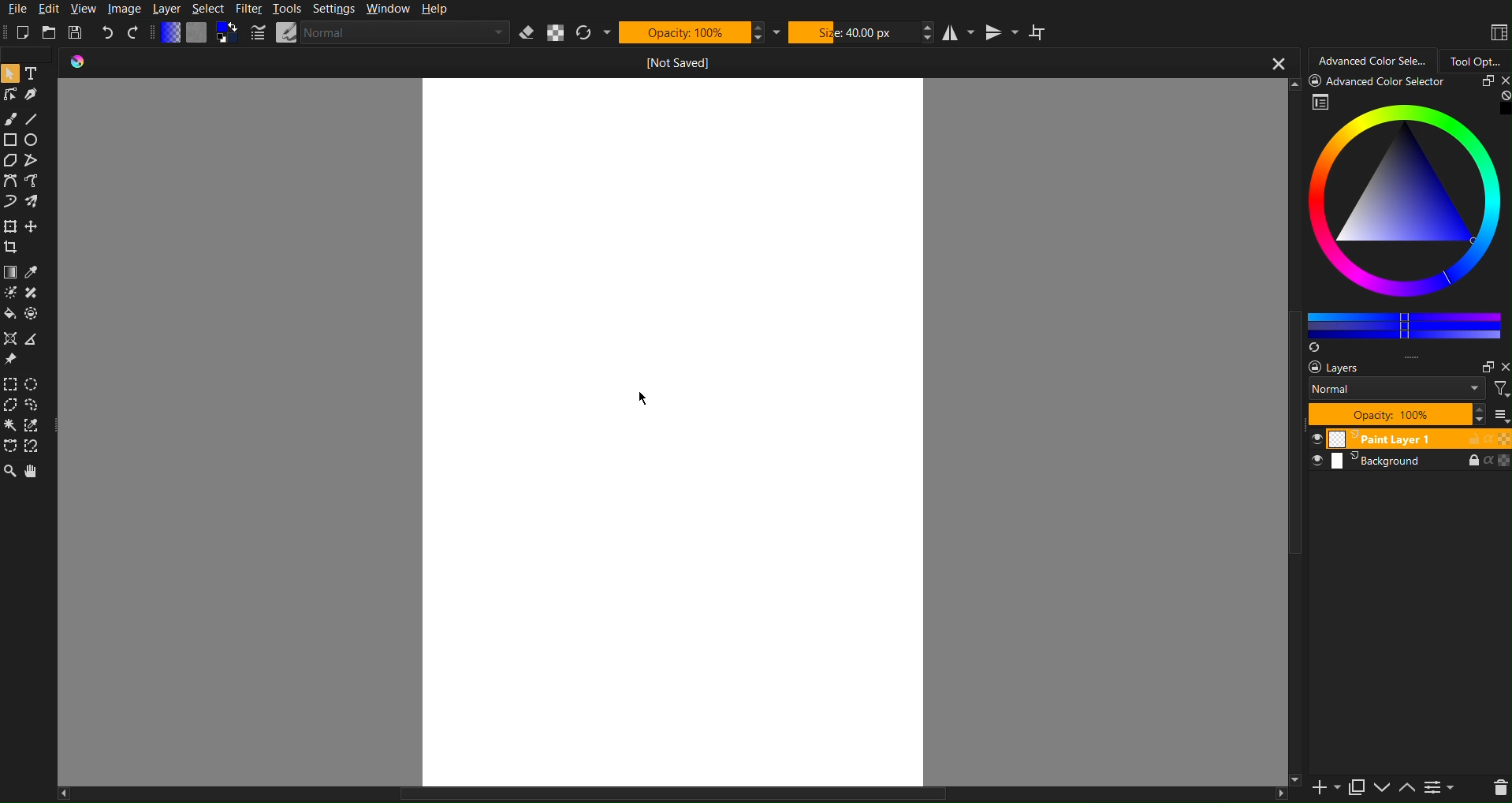  What do you see at coordinates (82, 9) in the screenshot?
I see `View` at bounding box center [82, 9].